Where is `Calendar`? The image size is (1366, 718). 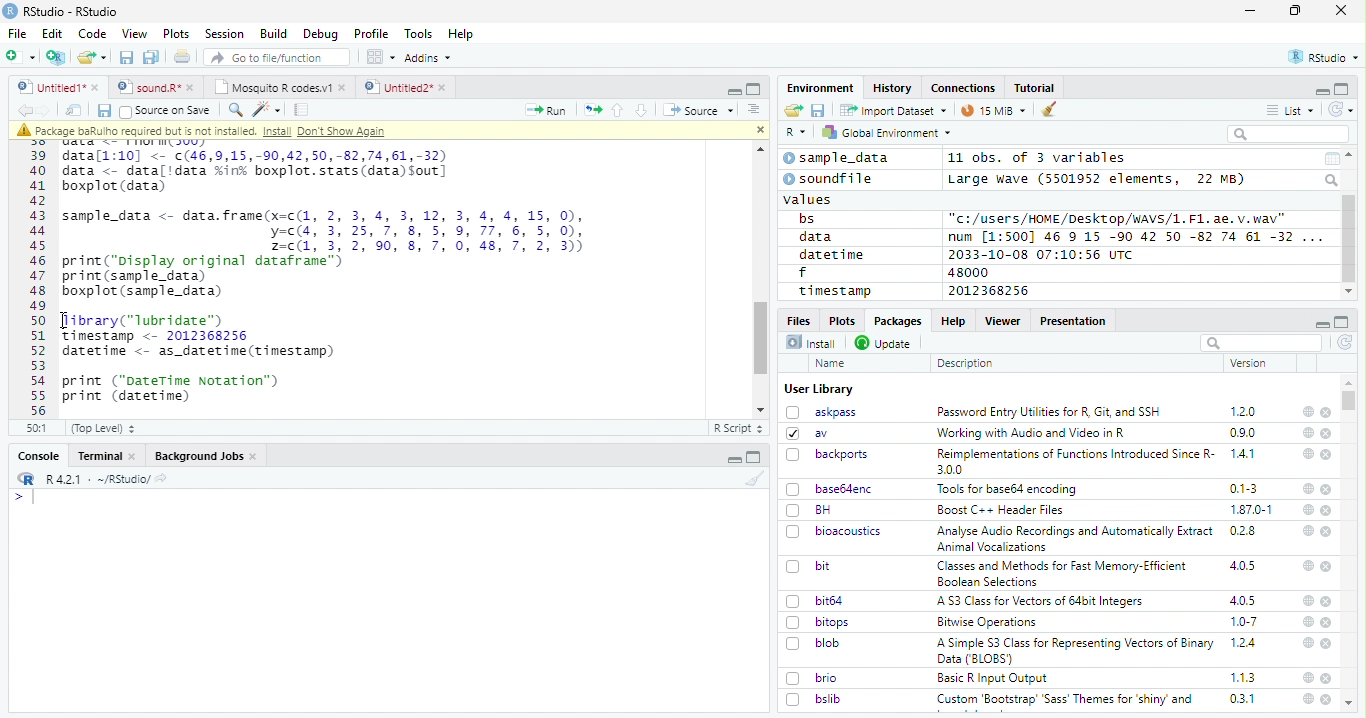 Calendar is located at coordinates (1331, 159).